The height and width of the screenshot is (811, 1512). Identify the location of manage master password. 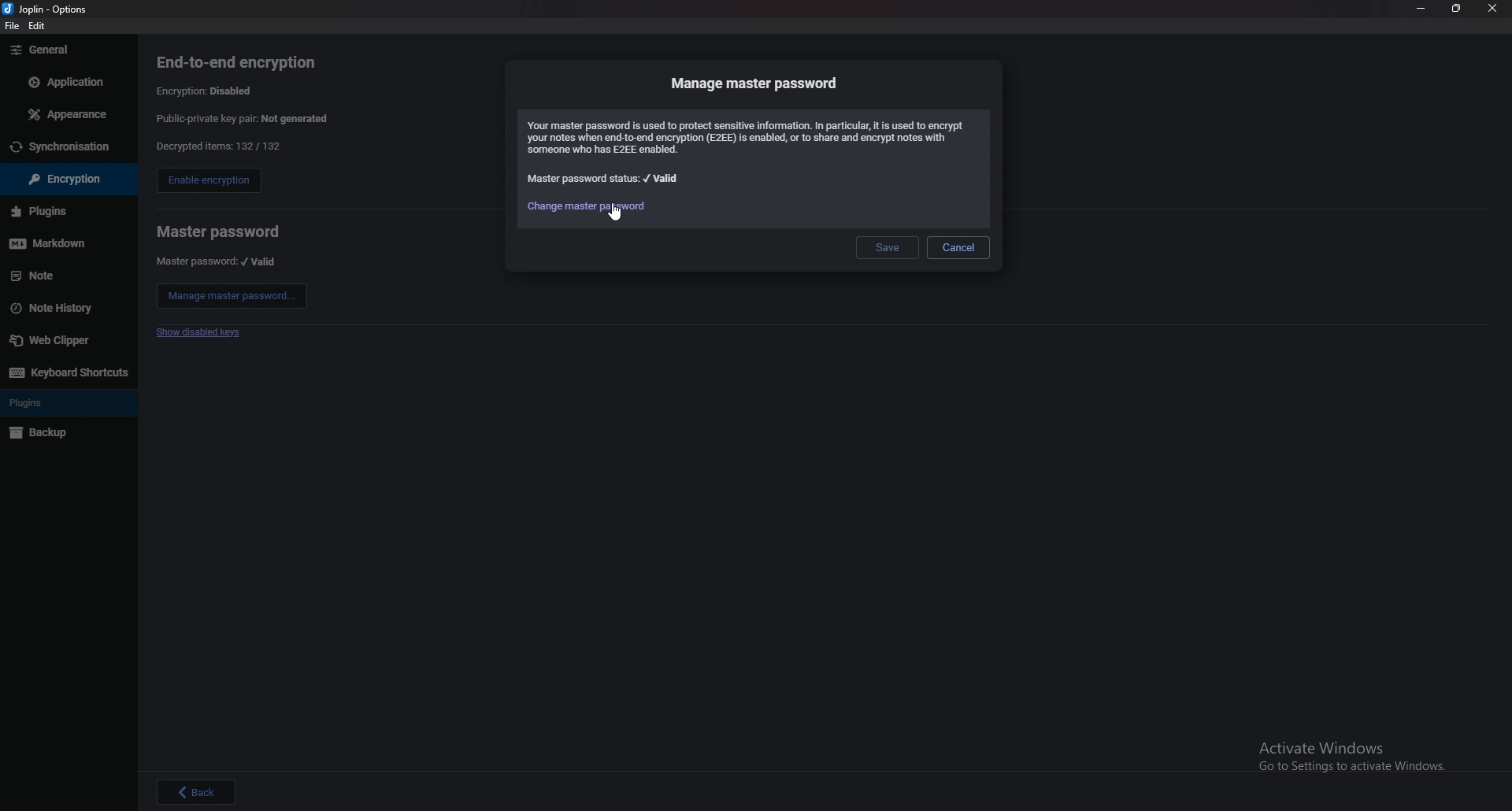
(232, 296).